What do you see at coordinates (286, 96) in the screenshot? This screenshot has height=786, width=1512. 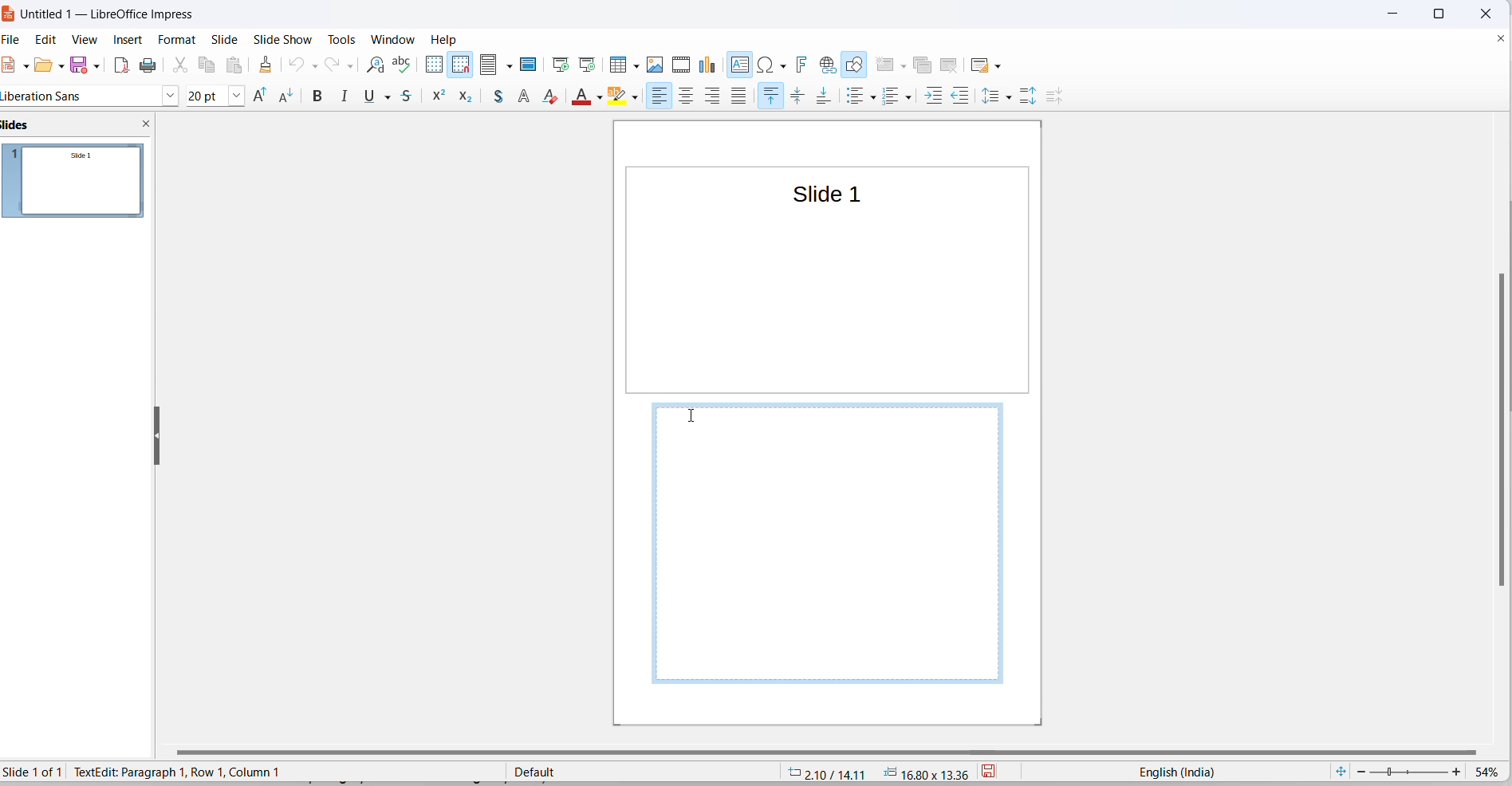 I see `curves and polygons options` at bounding box center [286, 96].